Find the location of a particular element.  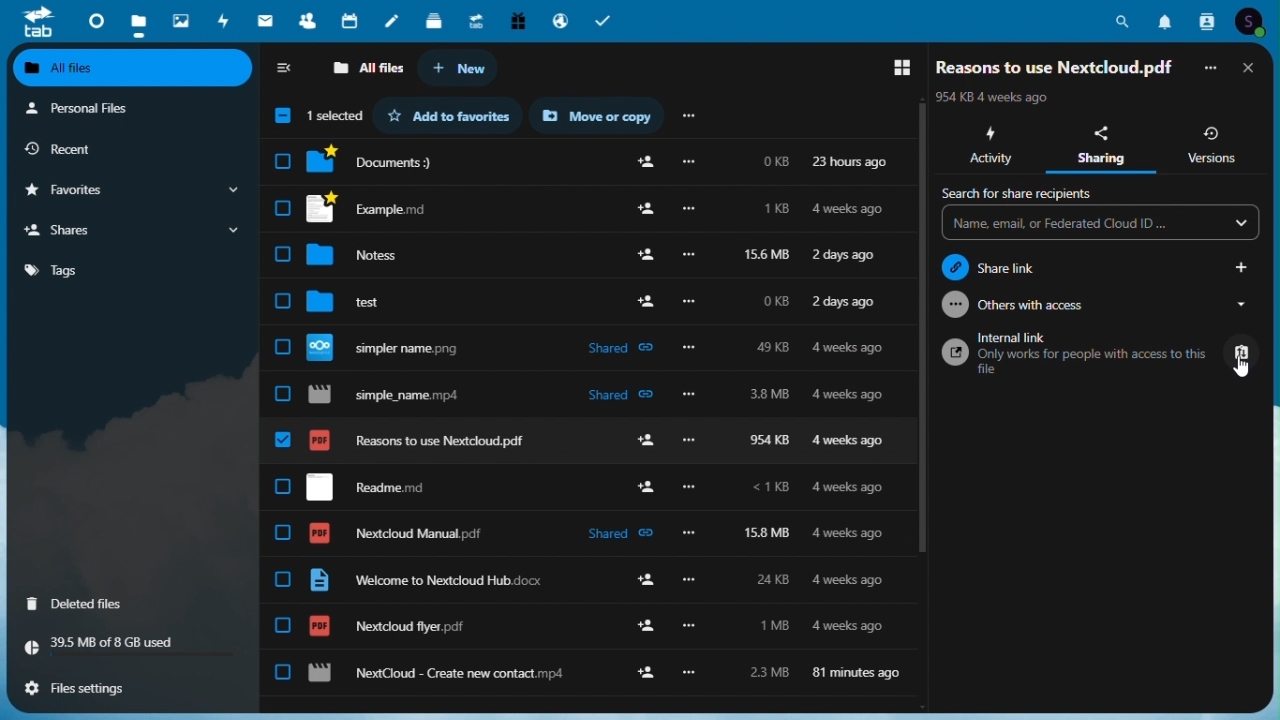

Share link is located at coordinates (1102, 266).